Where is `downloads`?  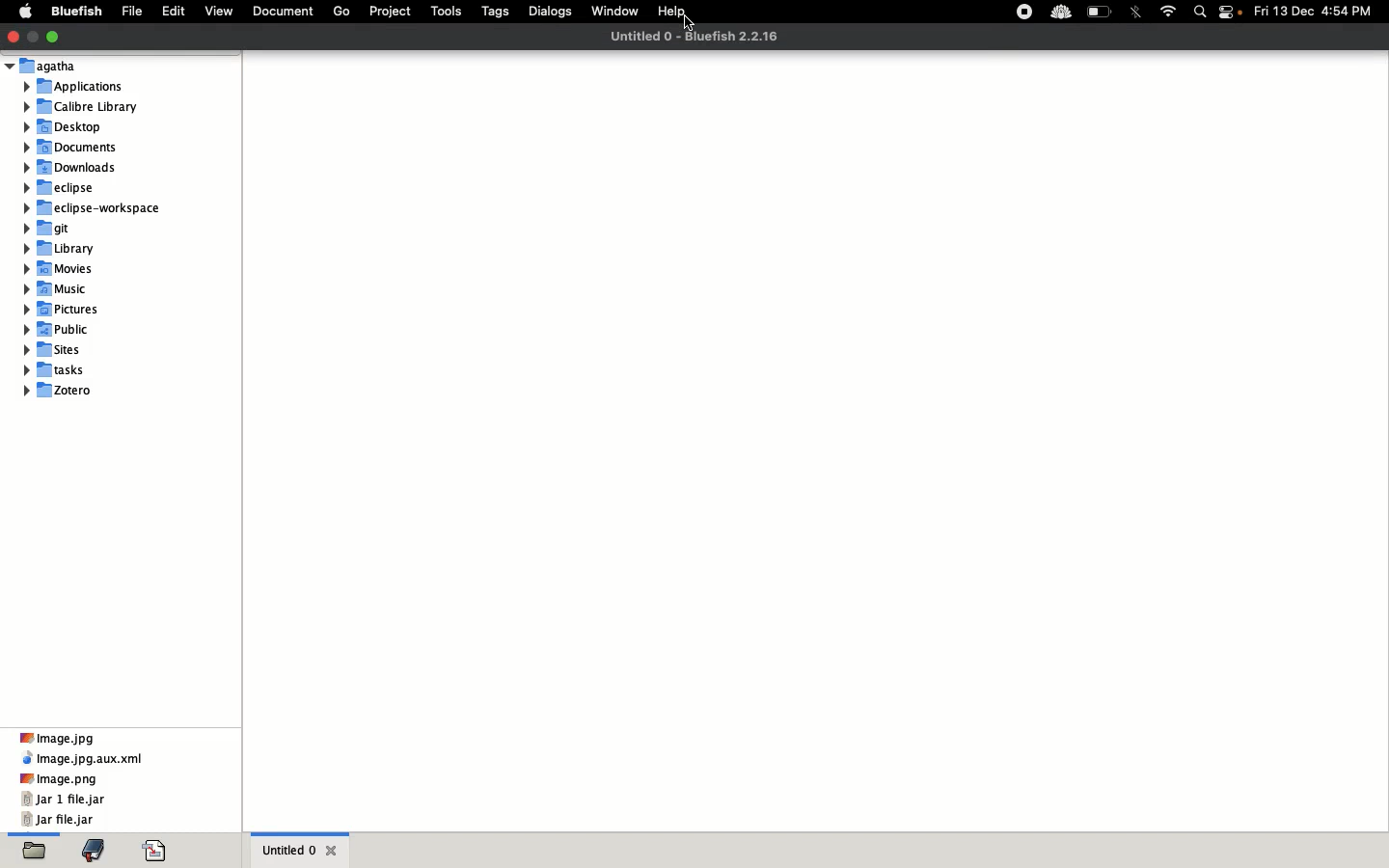 downloads is located at coordinates (74, 168).